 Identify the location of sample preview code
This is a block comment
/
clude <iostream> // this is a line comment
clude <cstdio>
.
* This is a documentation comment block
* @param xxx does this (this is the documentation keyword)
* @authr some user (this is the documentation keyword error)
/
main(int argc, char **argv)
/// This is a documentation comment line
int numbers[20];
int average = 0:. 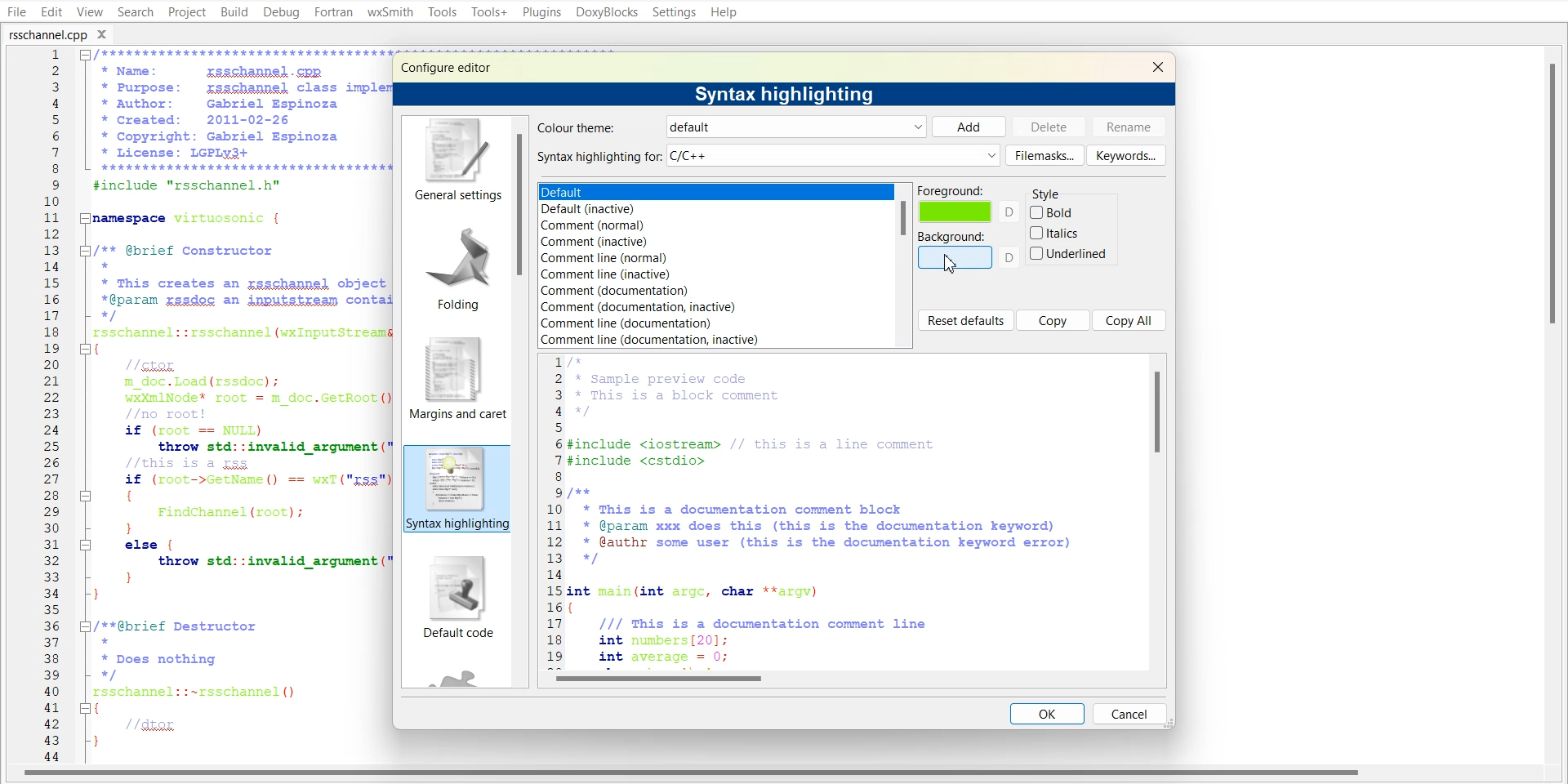
(843, 509).